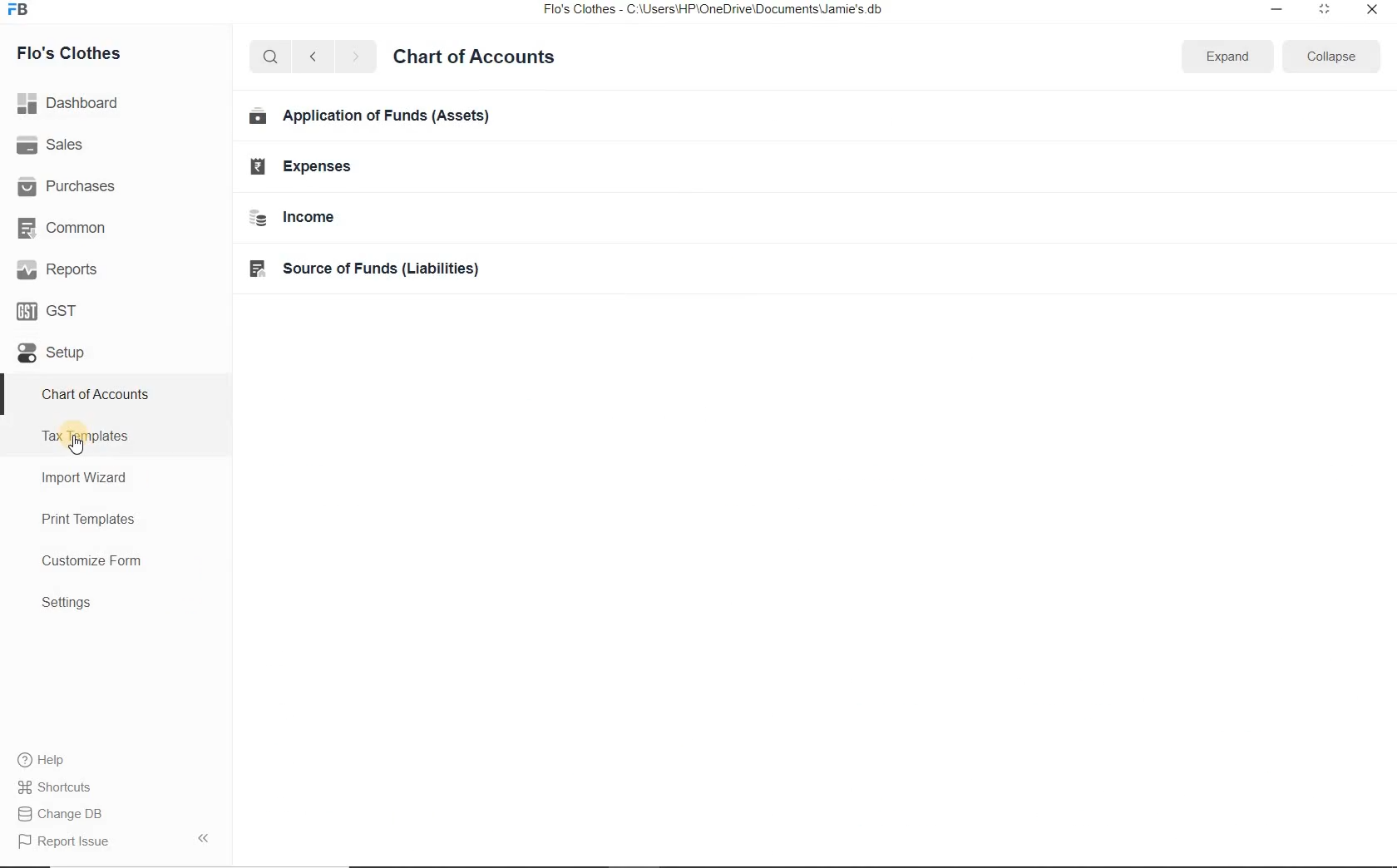 The image size is (1397, 868). I want to click on Search Bar, so click(271, 56).